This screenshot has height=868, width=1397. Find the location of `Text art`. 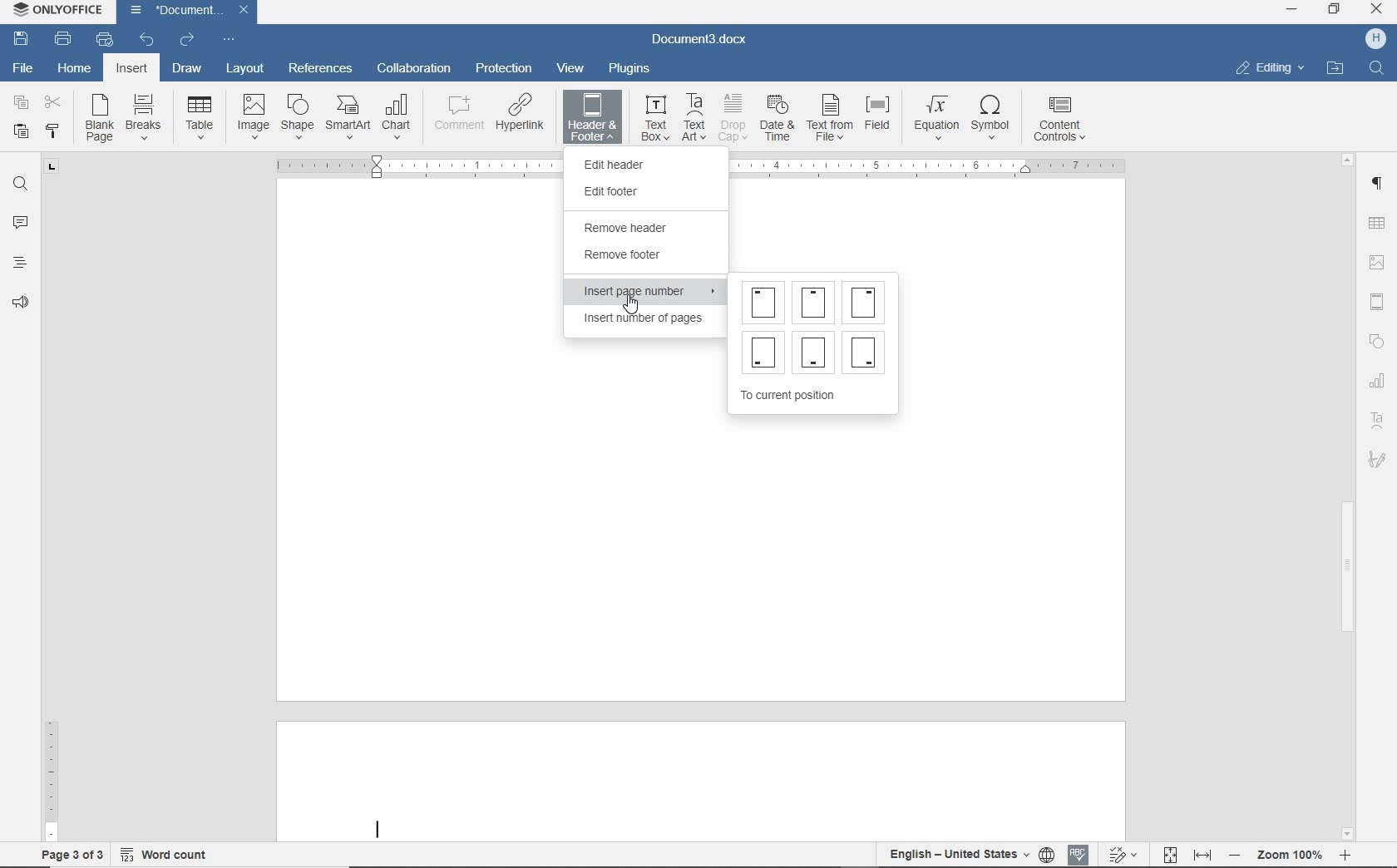

Text art is located at coordinates (1378, 419).